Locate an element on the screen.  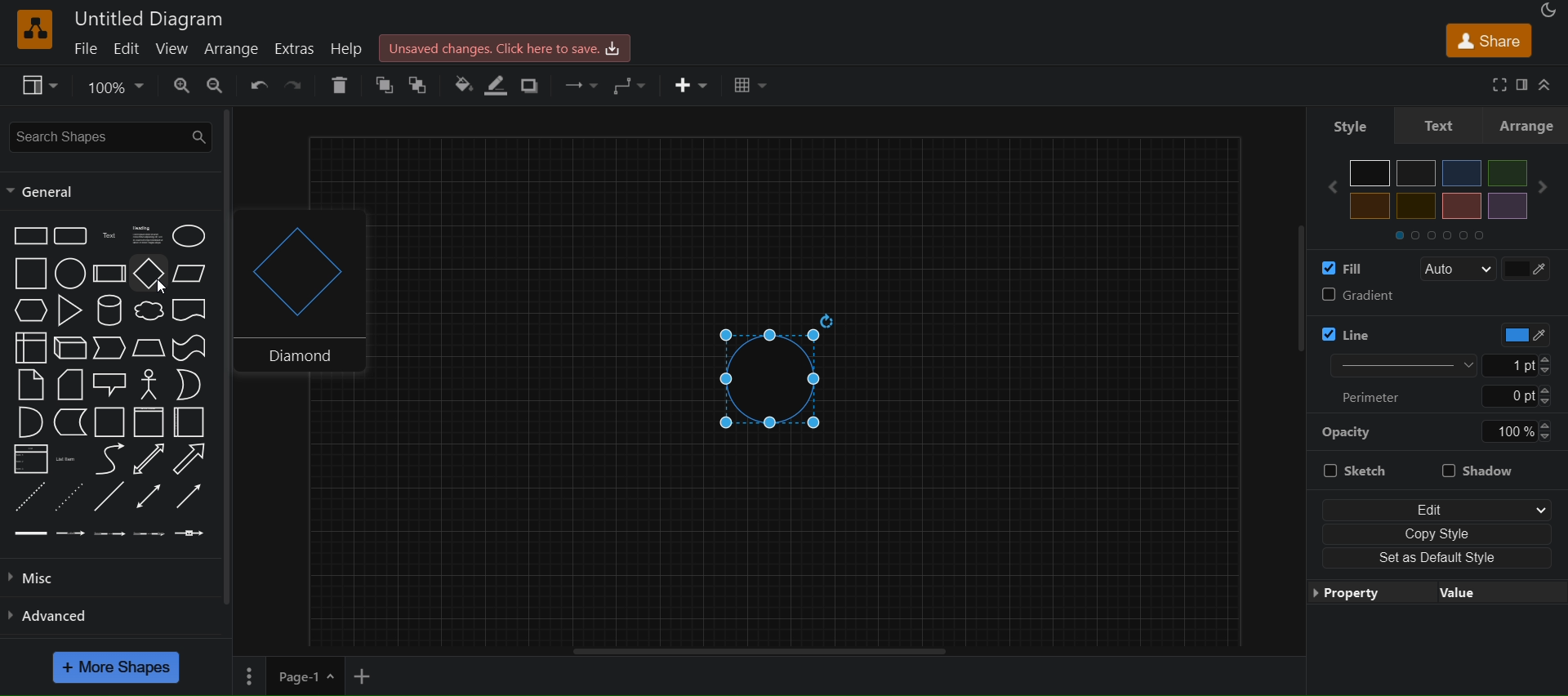
waypoints is located at coordinates (630, 85).